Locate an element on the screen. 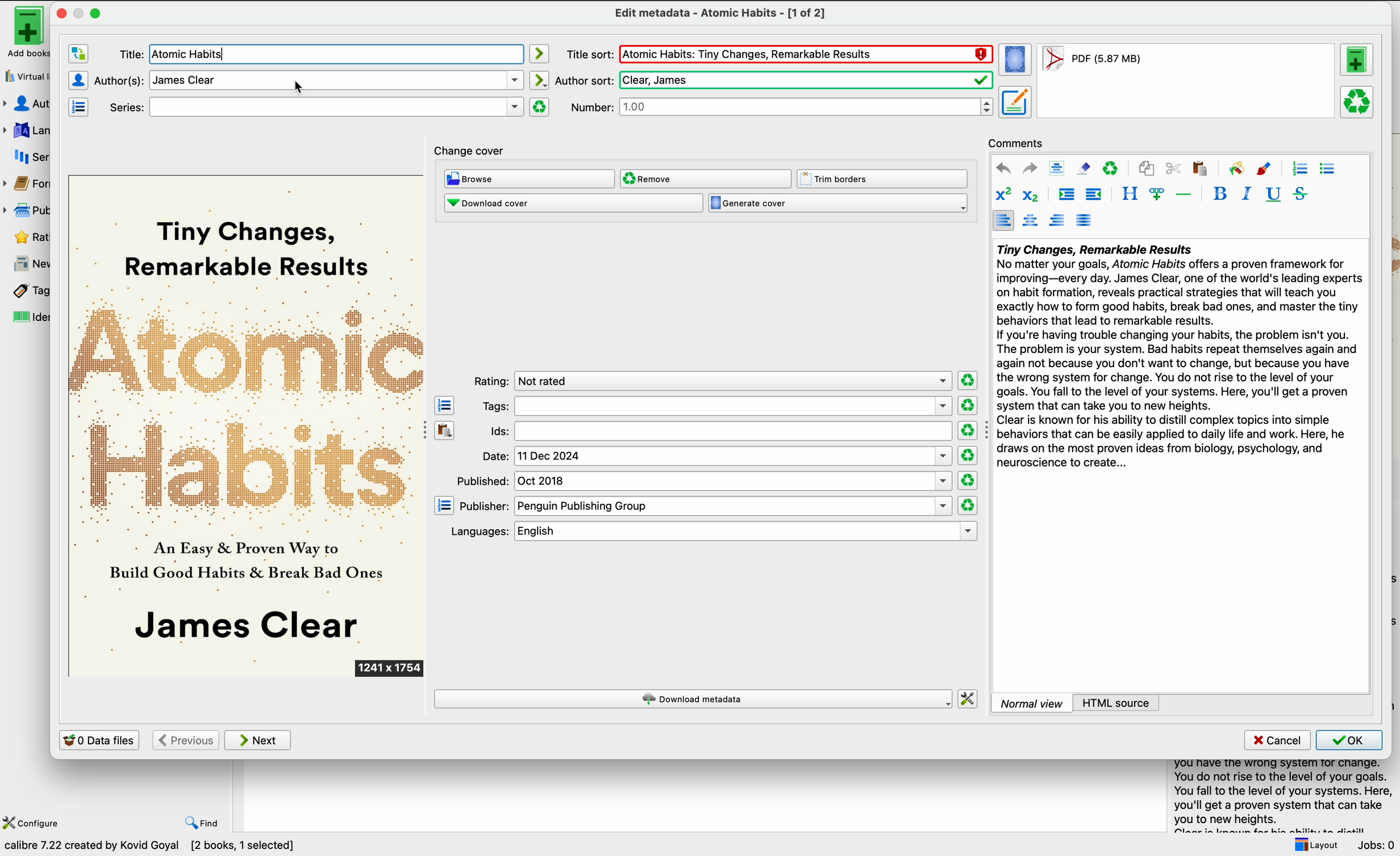  authors editor is located at coordinates (78, 80).